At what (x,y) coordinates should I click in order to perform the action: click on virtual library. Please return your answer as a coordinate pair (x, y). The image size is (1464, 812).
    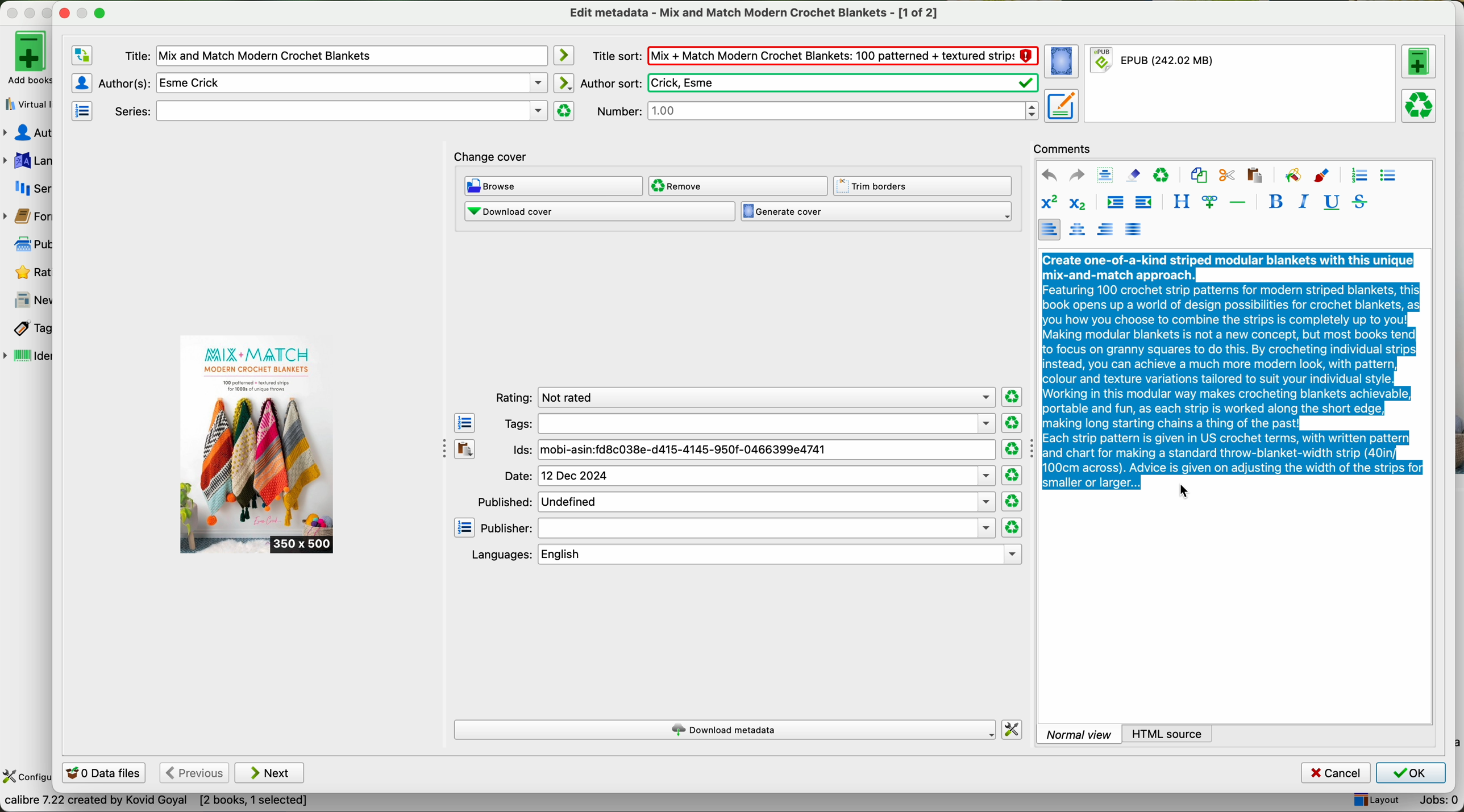
    Looking at the image, I should click on (26, 101).